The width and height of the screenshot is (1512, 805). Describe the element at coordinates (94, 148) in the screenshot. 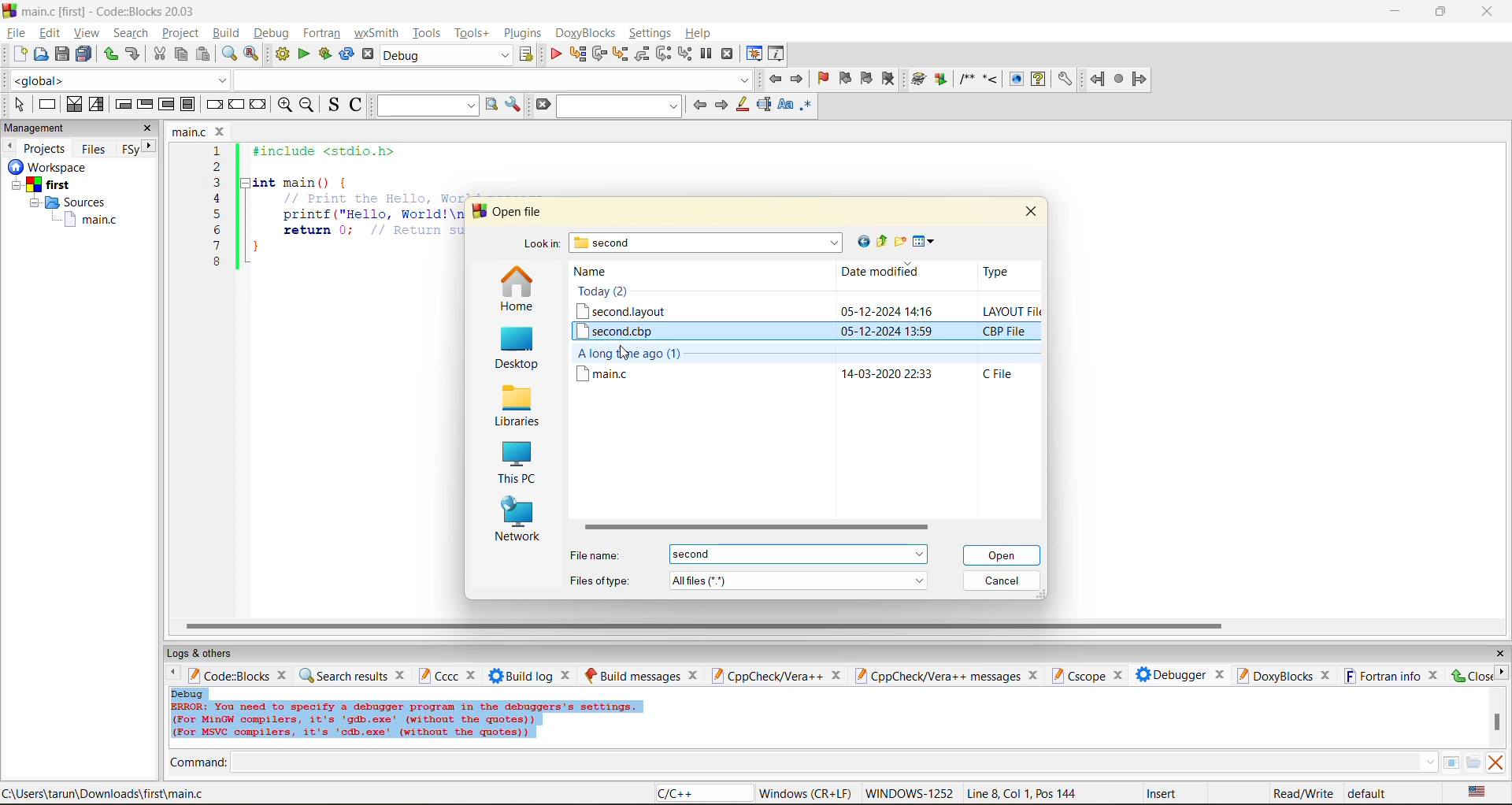

I see `files` at that location.